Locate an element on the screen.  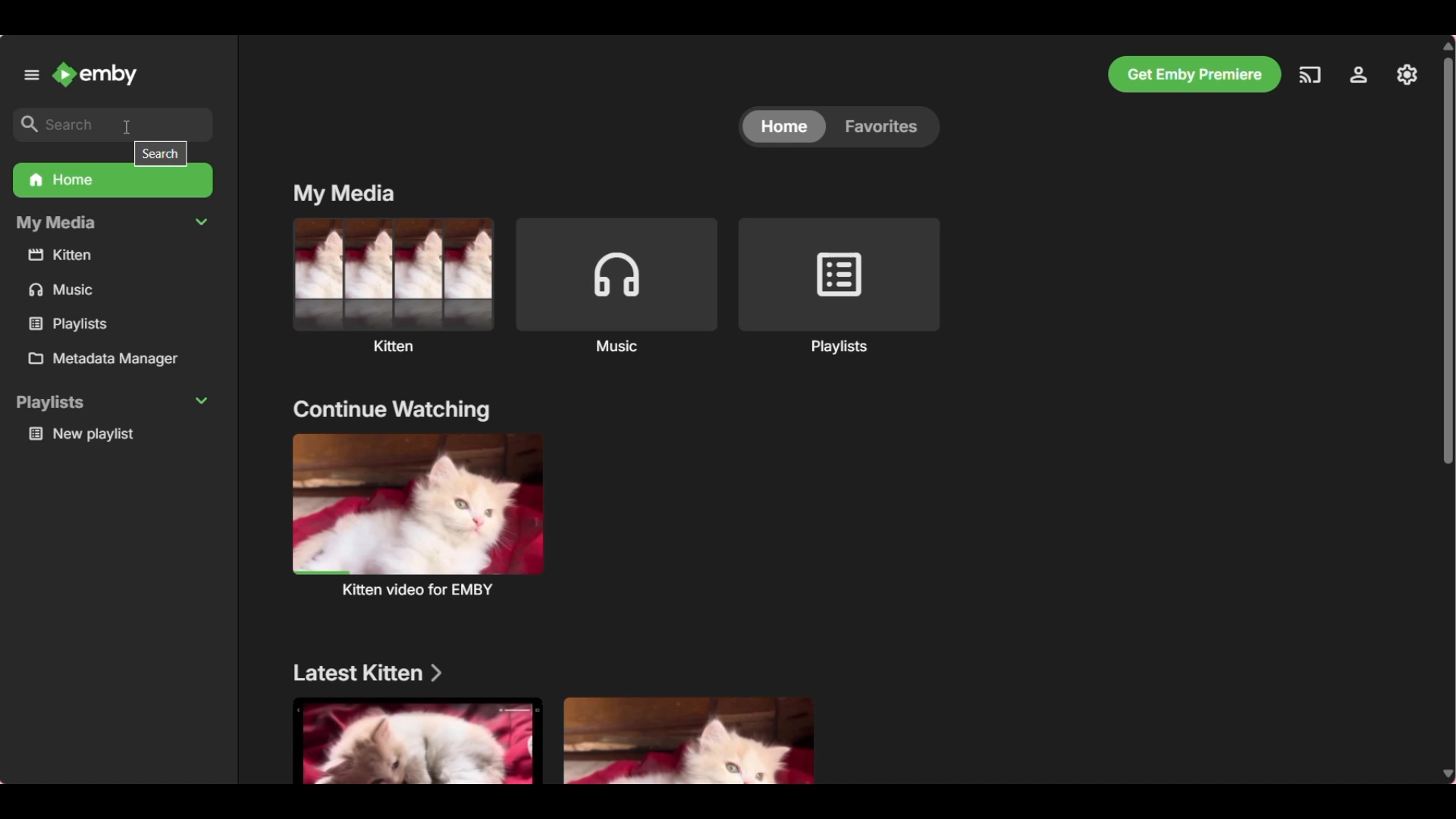
My Media is located at coordinates (111, 224).